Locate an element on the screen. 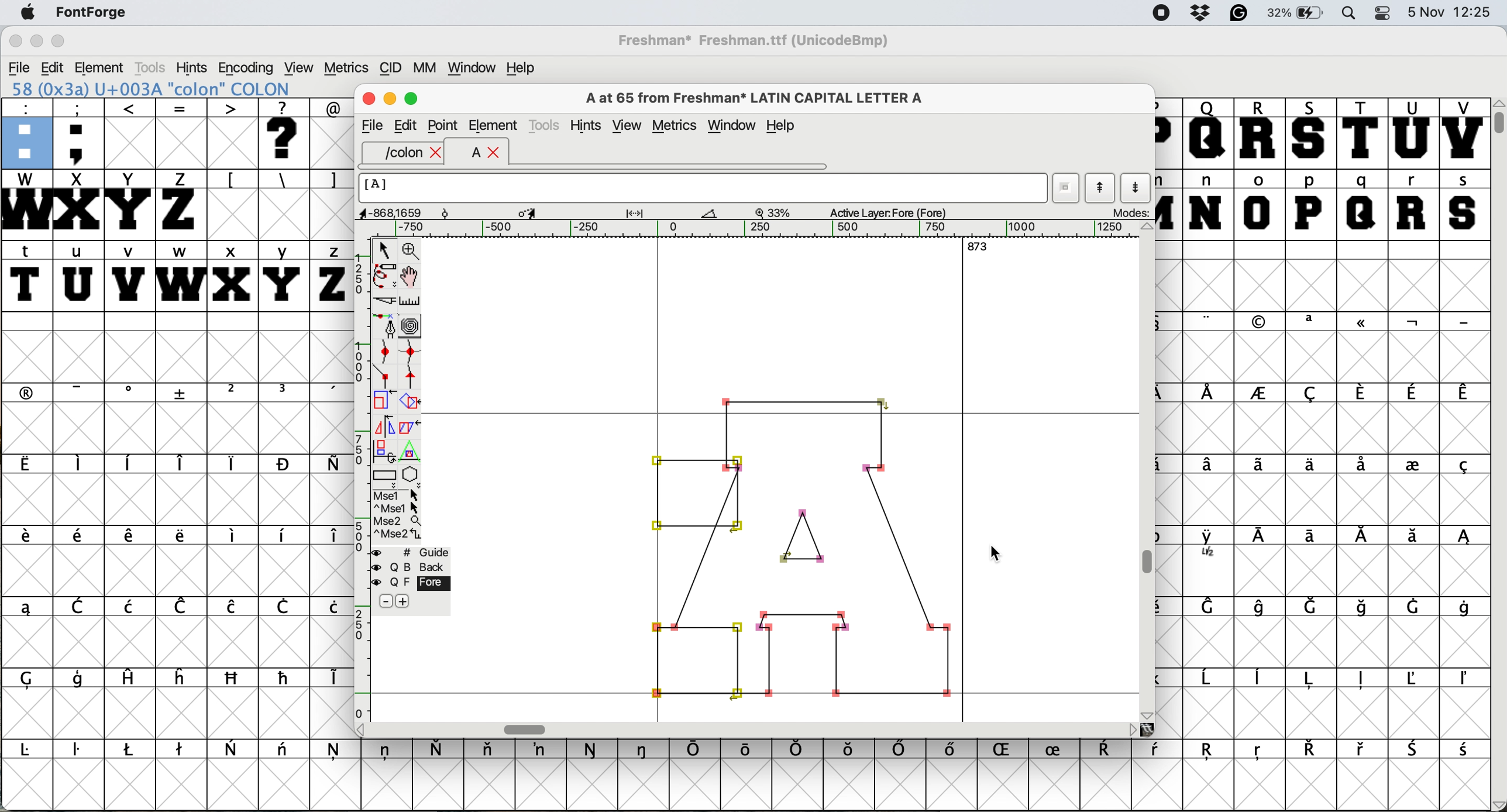 This screenshot has width=1507, height=812. symbol is located at coordinates (902, 750).